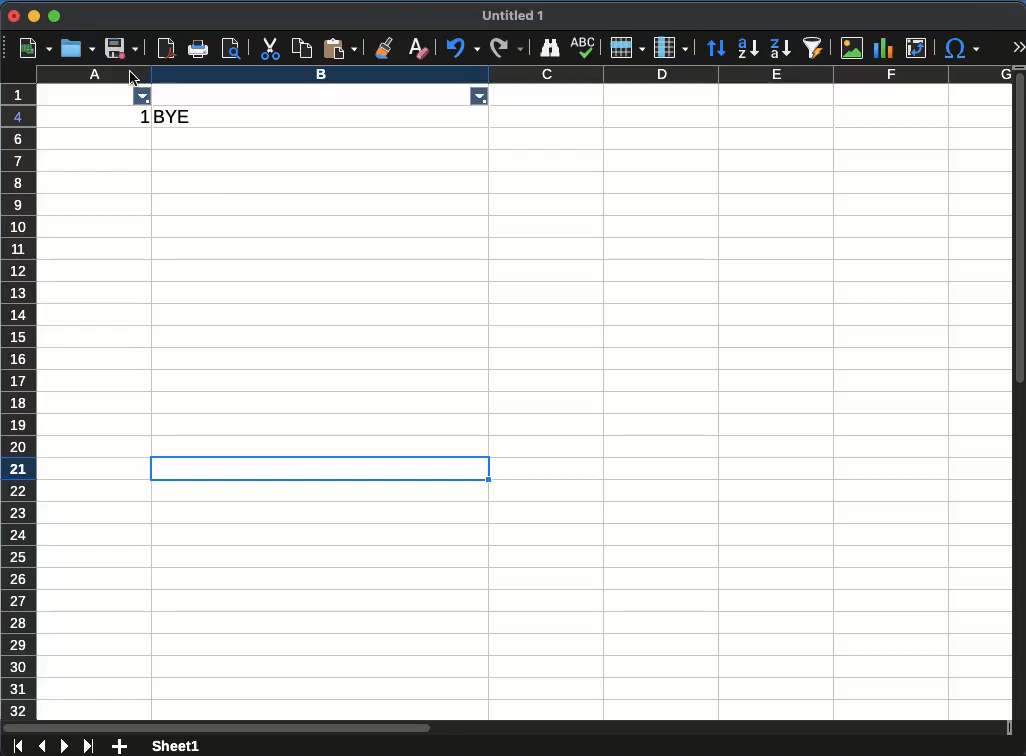  I want to click on column, so click(590, 75).